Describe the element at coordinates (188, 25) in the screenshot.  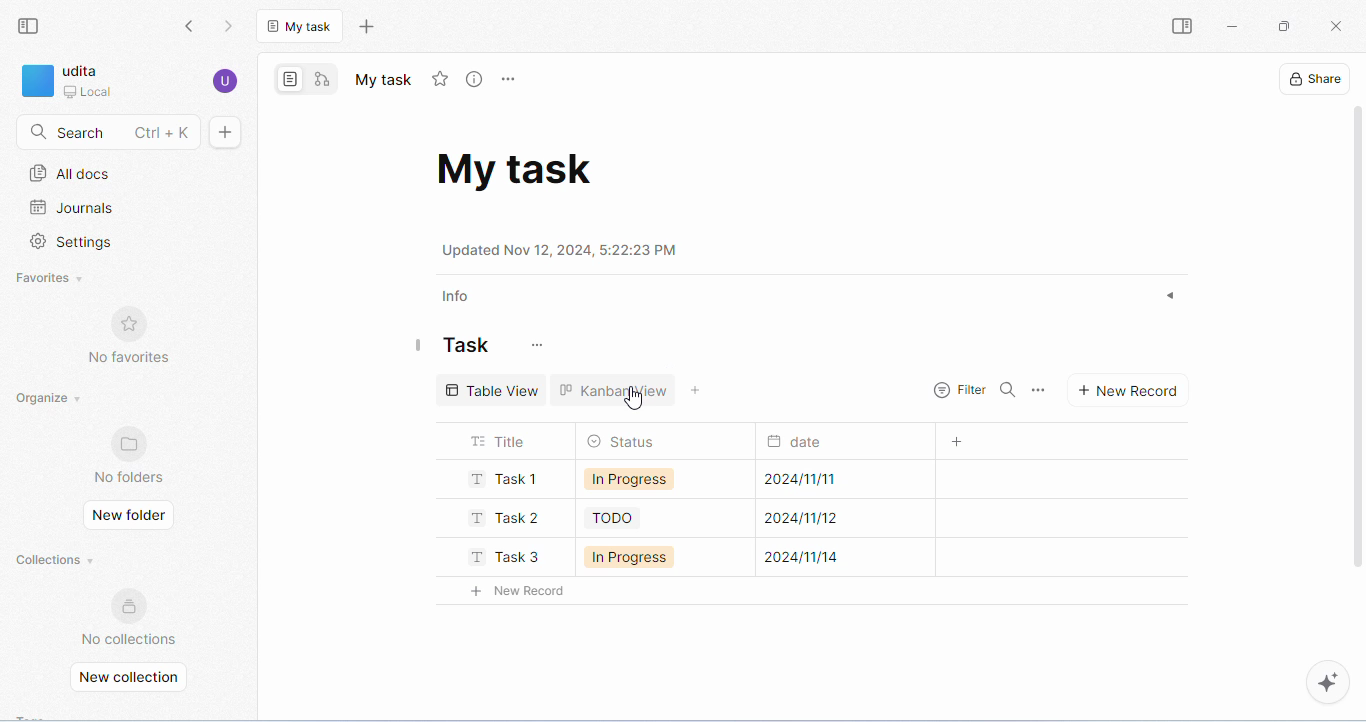
I see `go back` at that location.